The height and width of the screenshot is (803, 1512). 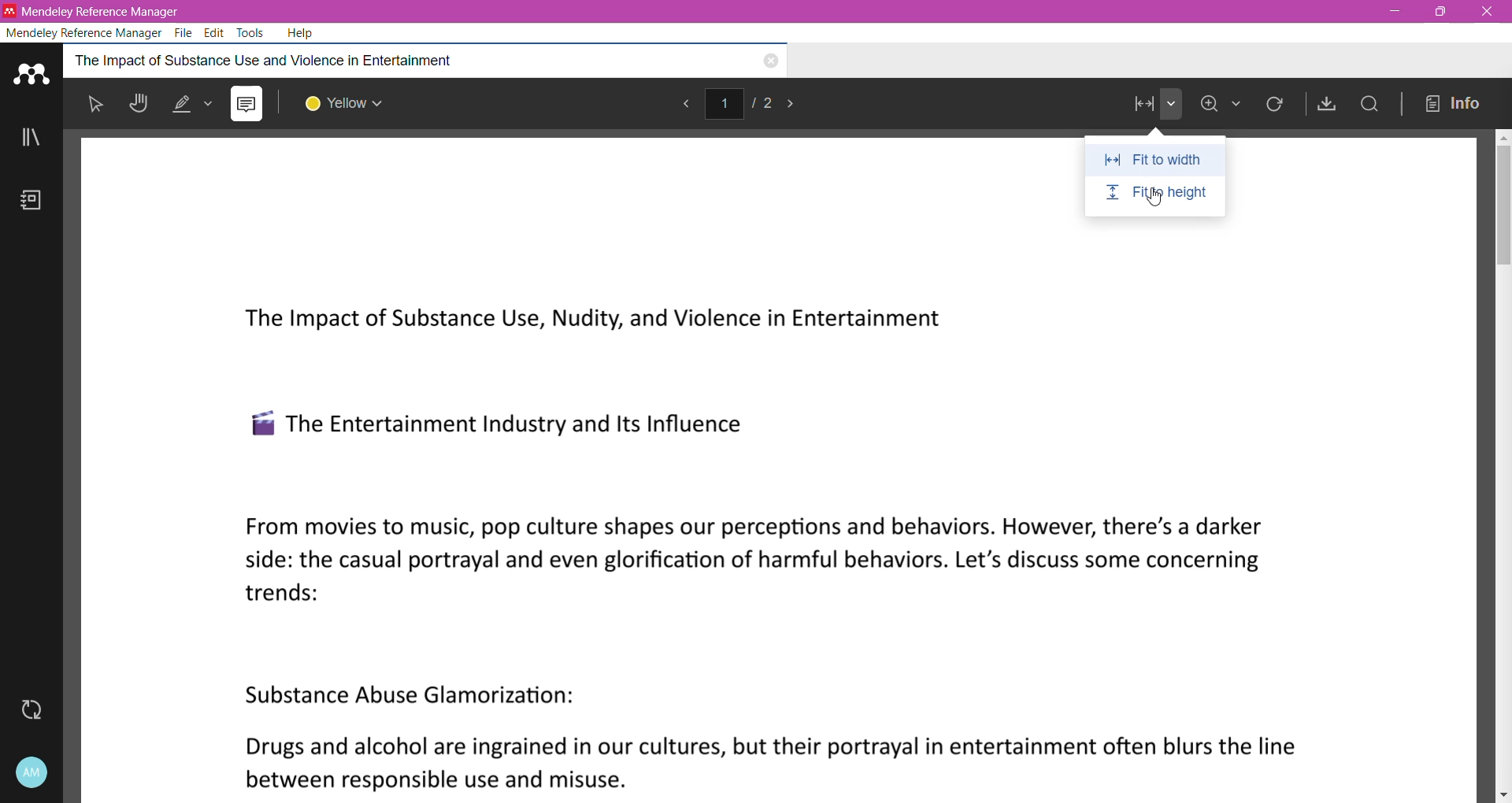 I want to click on Pointer Mode, so click(x=99, y=107).